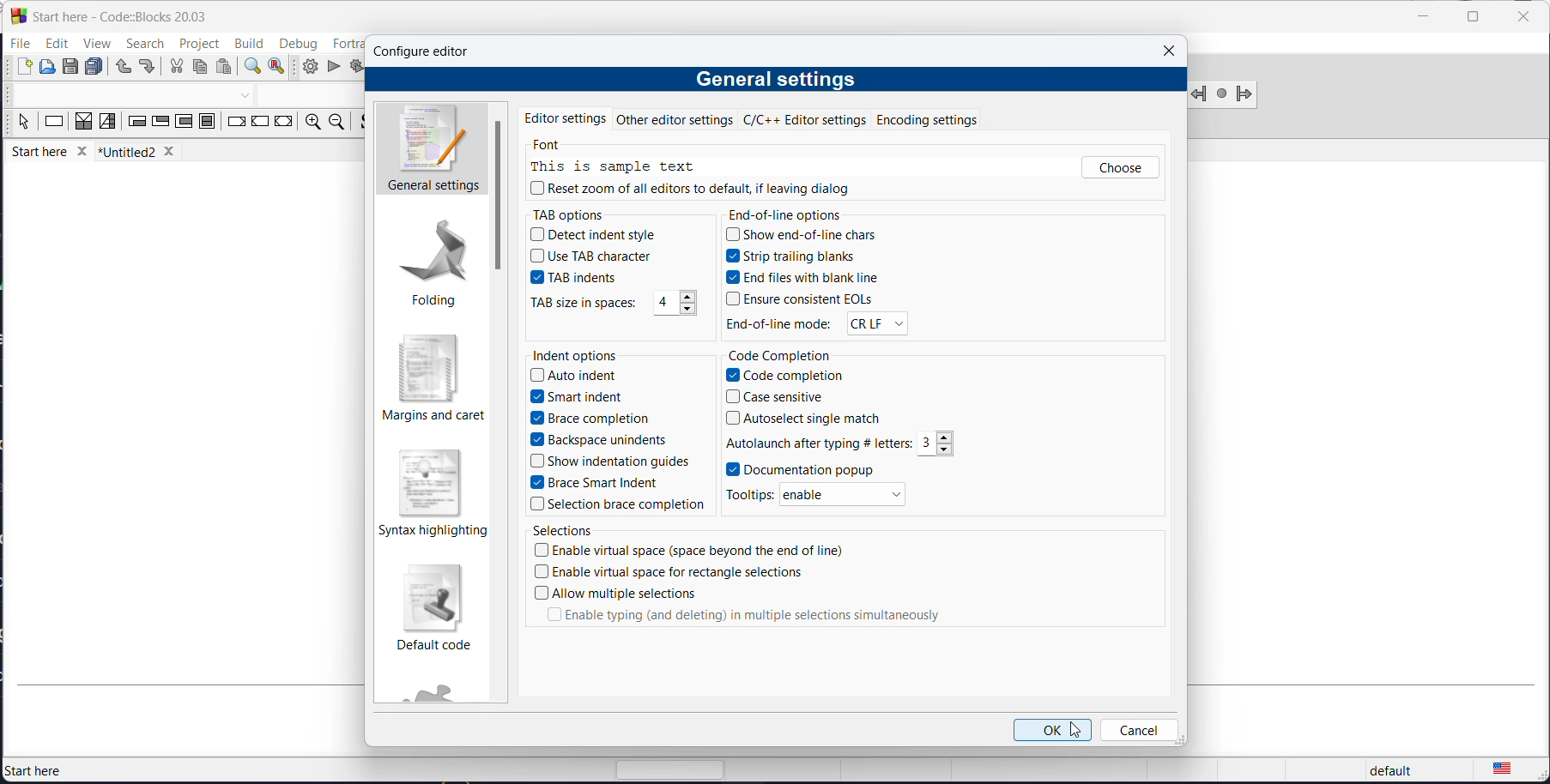 This screenshot has height=784, width=1550. I want to click on build and run, so click(356, 65).